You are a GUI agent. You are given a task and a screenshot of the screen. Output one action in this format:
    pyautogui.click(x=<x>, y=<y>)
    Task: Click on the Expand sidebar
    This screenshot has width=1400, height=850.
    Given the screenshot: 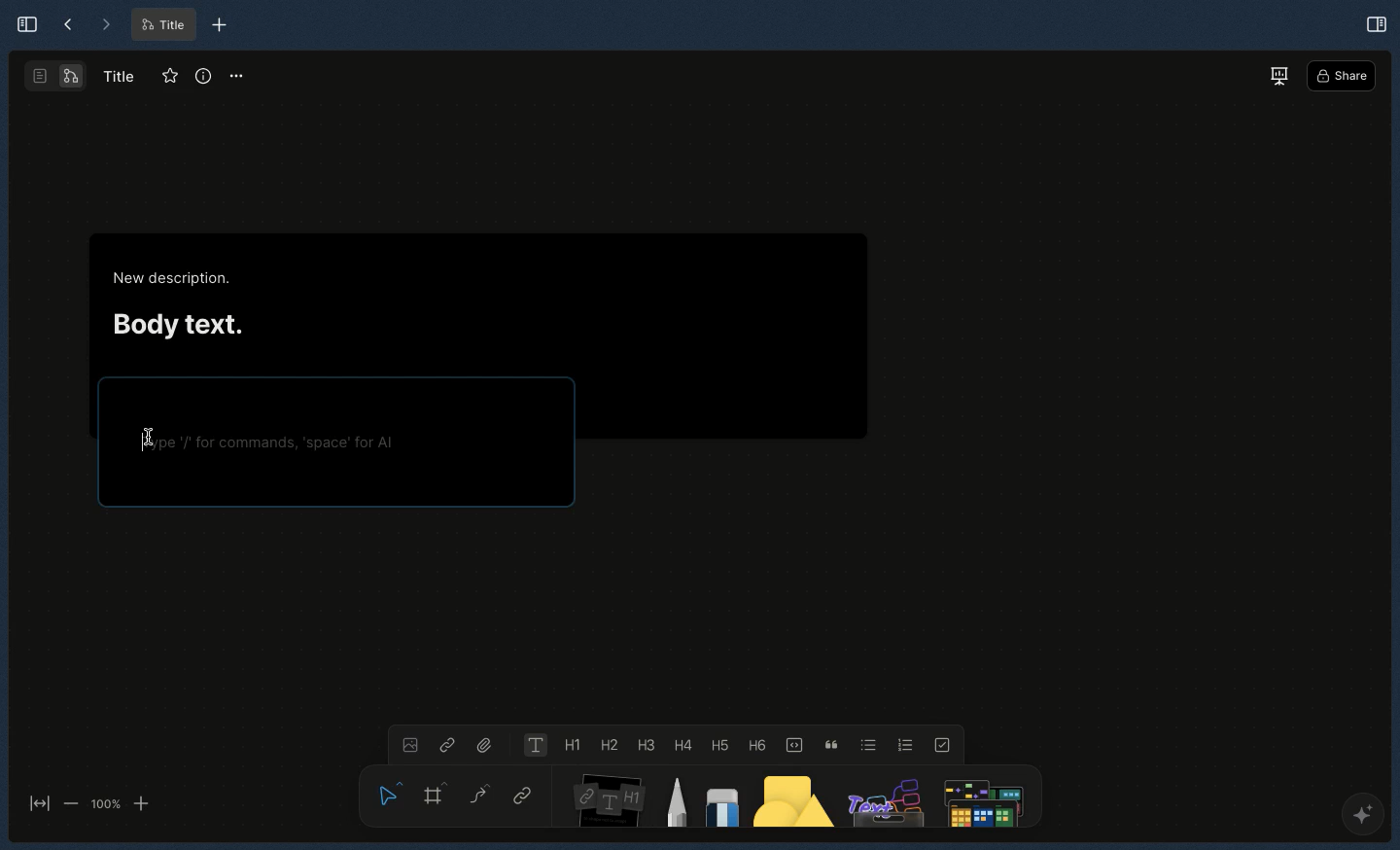 What is the action you would take?
    pyautogui.click(x=21, y=23)
    